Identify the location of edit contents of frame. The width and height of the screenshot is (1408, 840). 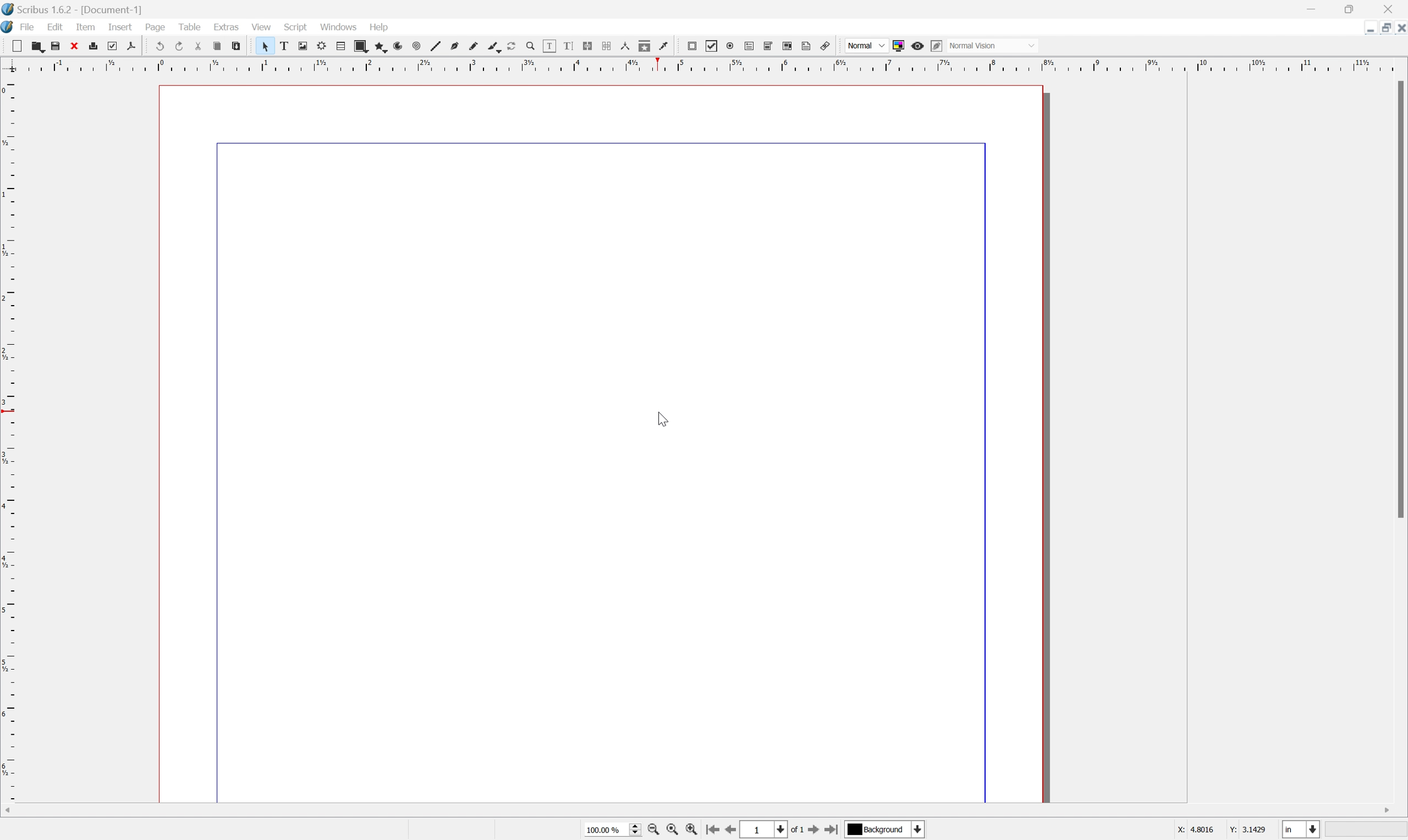
(549, 45).